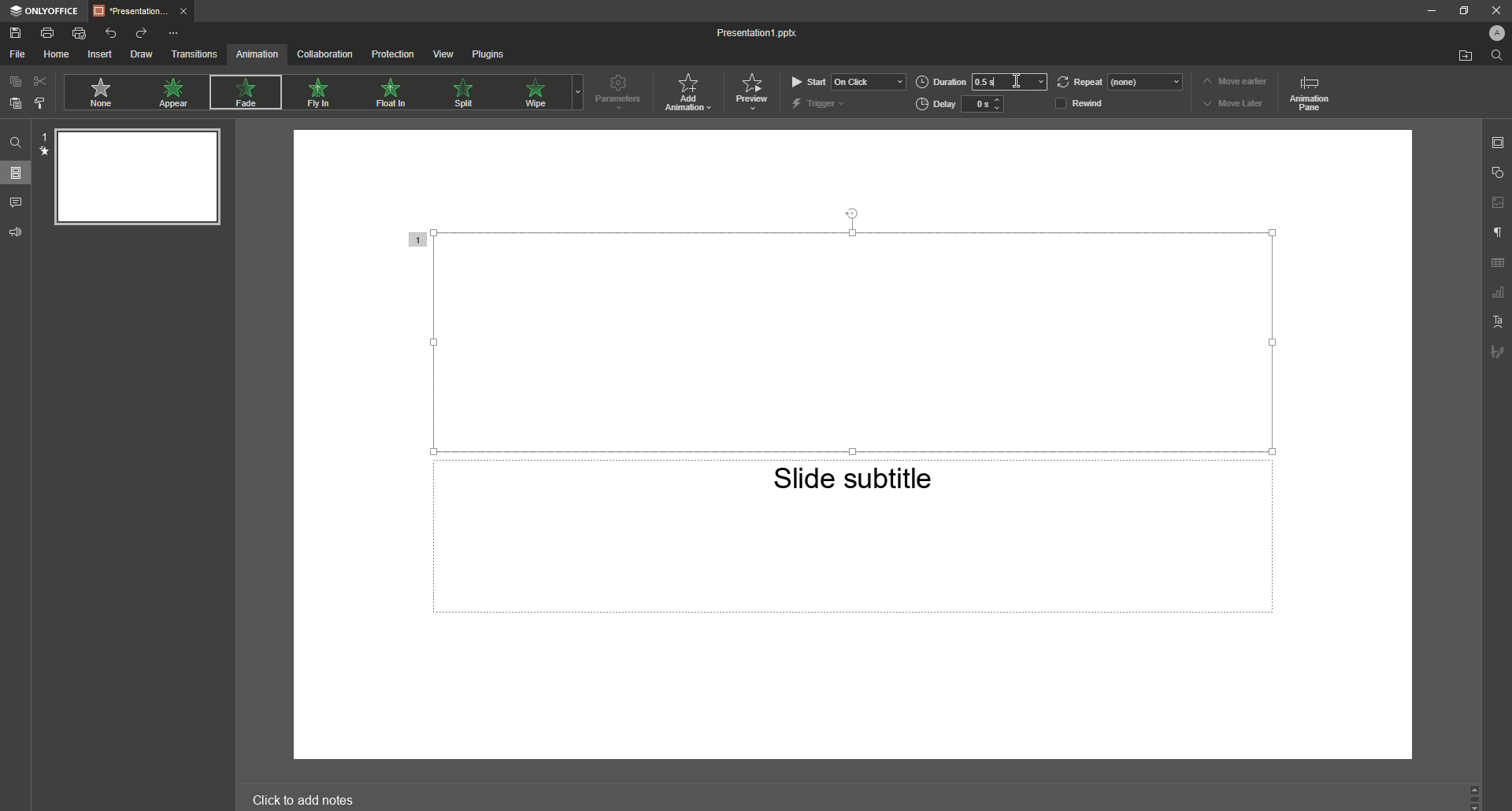 Image resolution: width=1512 pixels, height=811 pixels. Describe the element at coordinates (40, 103) in the screenshot. I see `Choose Style` at that location.